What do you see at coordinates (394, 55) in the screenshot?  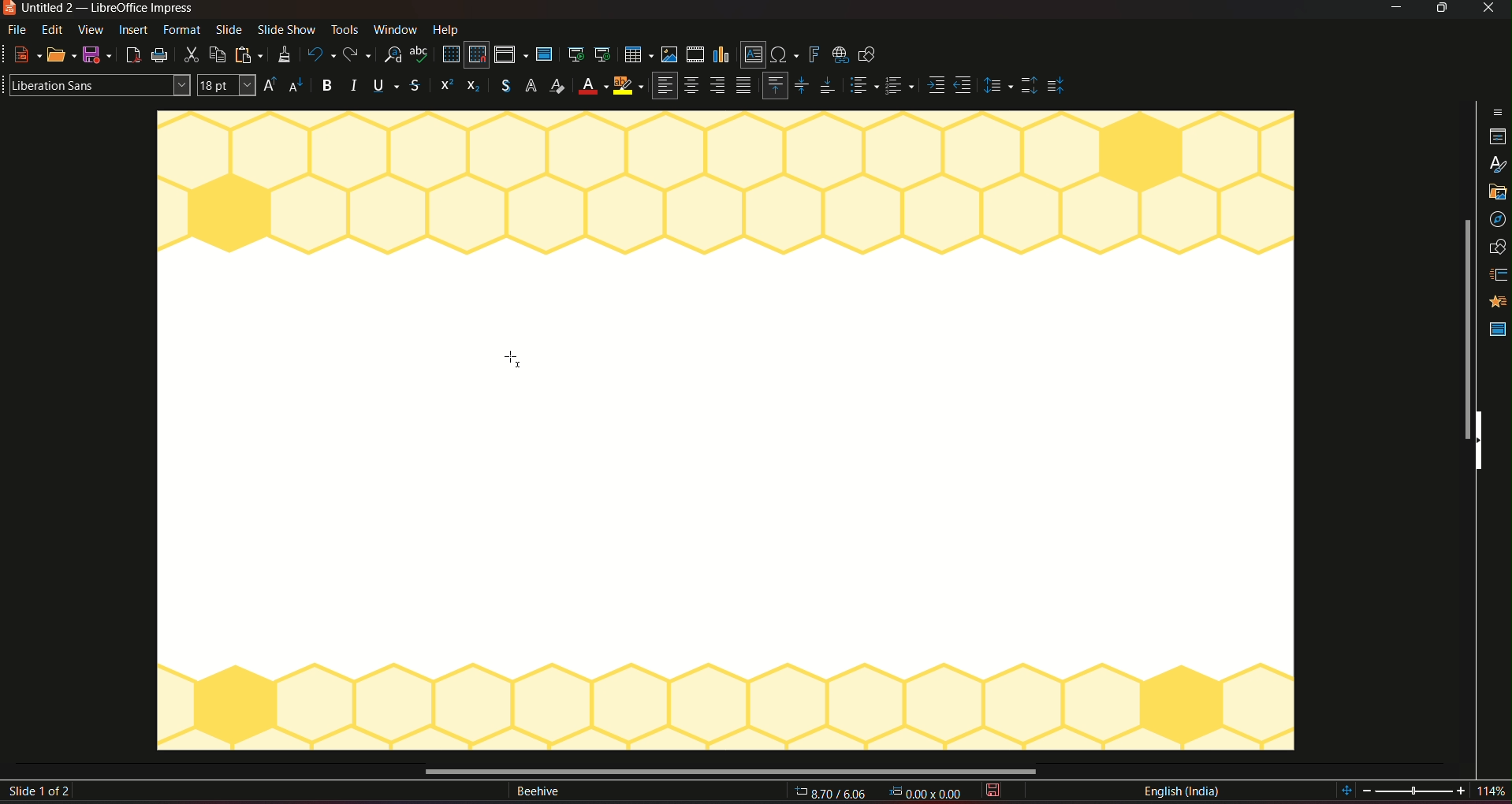 I see `find and replace` at bounding box center [394, 55].